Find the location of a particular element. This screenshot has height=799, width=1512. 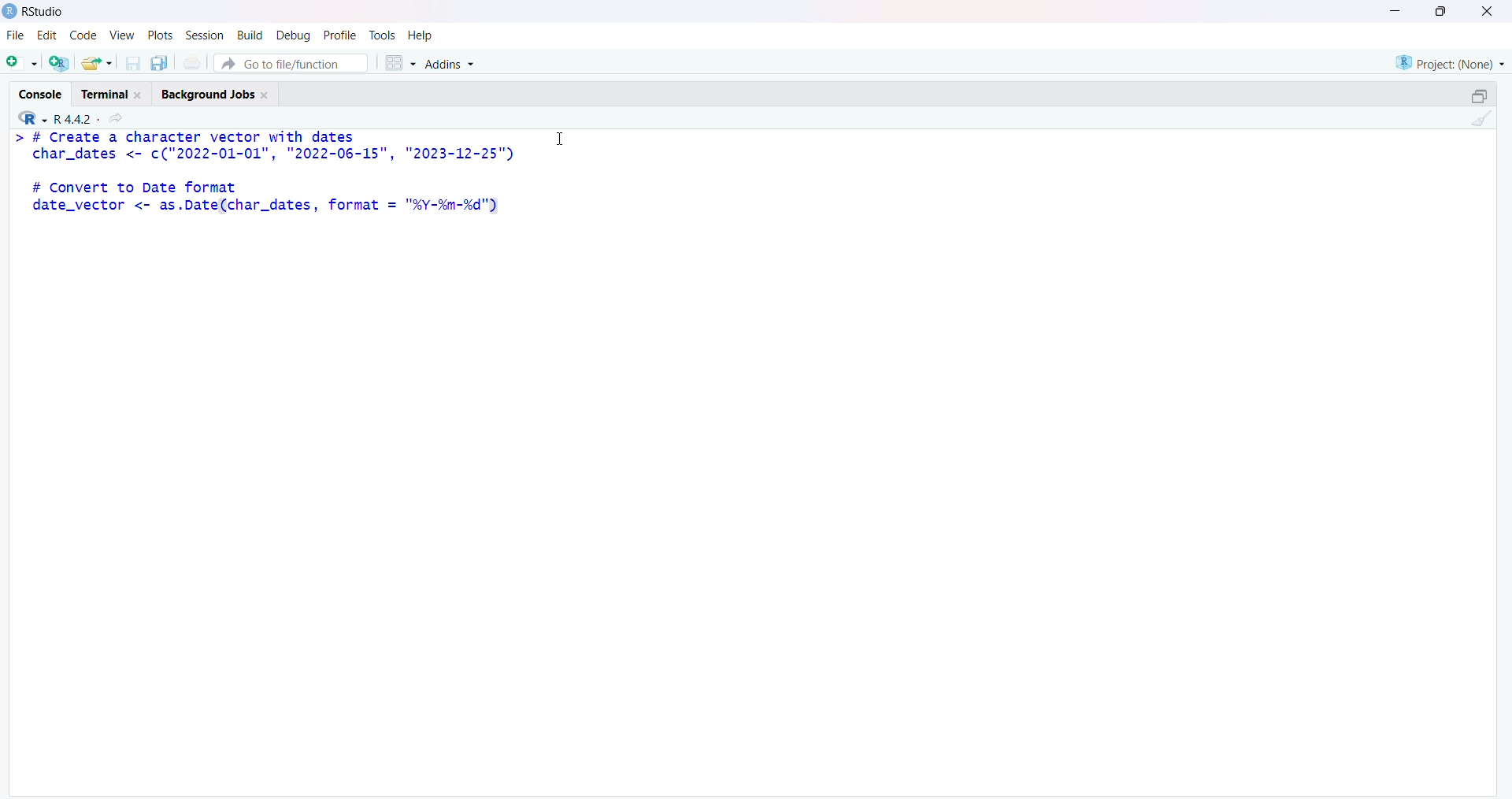

Background Jobs is located at coordinates (220, 92).